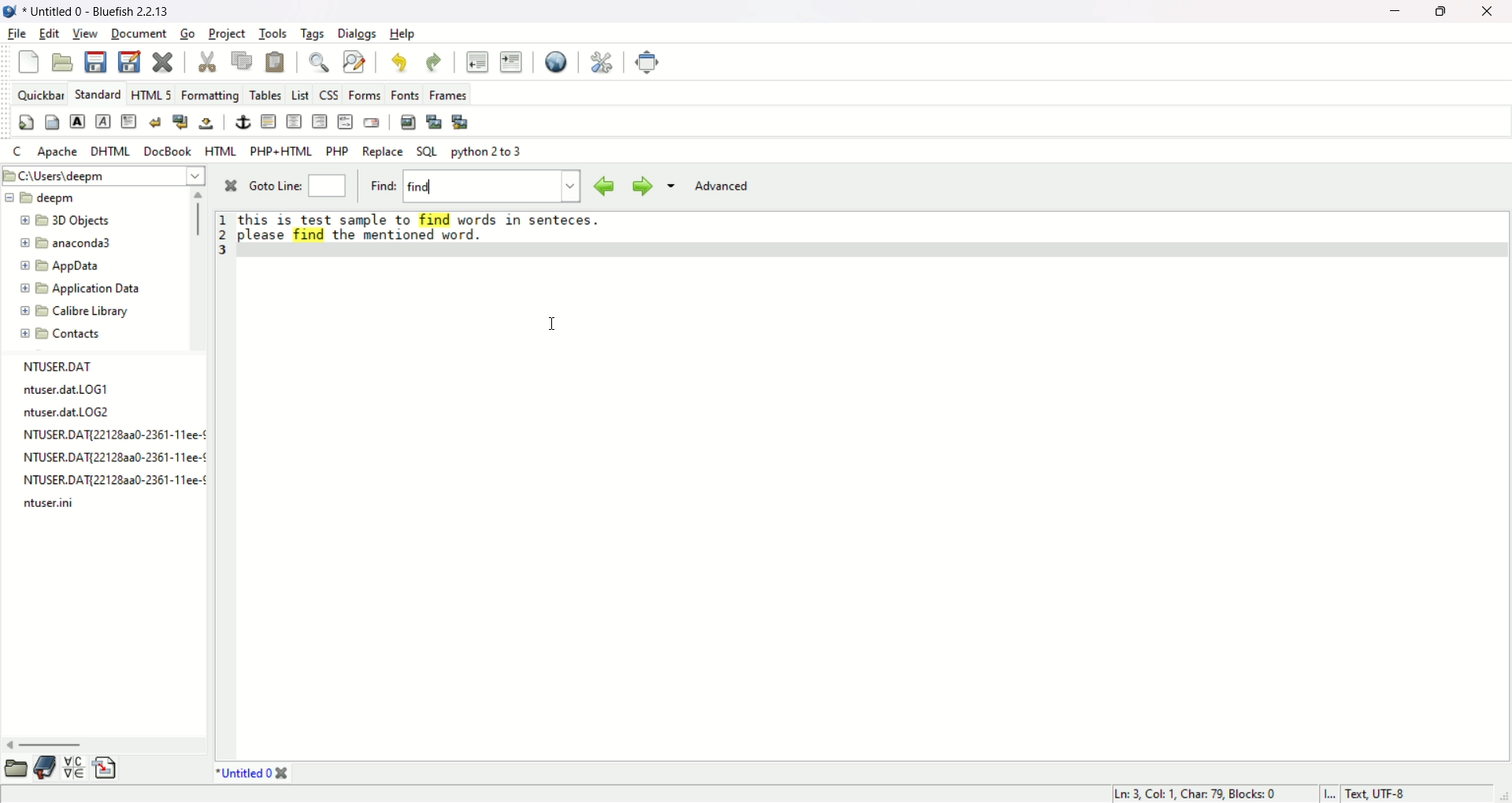 This screenshot has width=1512, height=803. Describe the element at coordinates (1492, 13) in the screenshot. I see `close` at that location.